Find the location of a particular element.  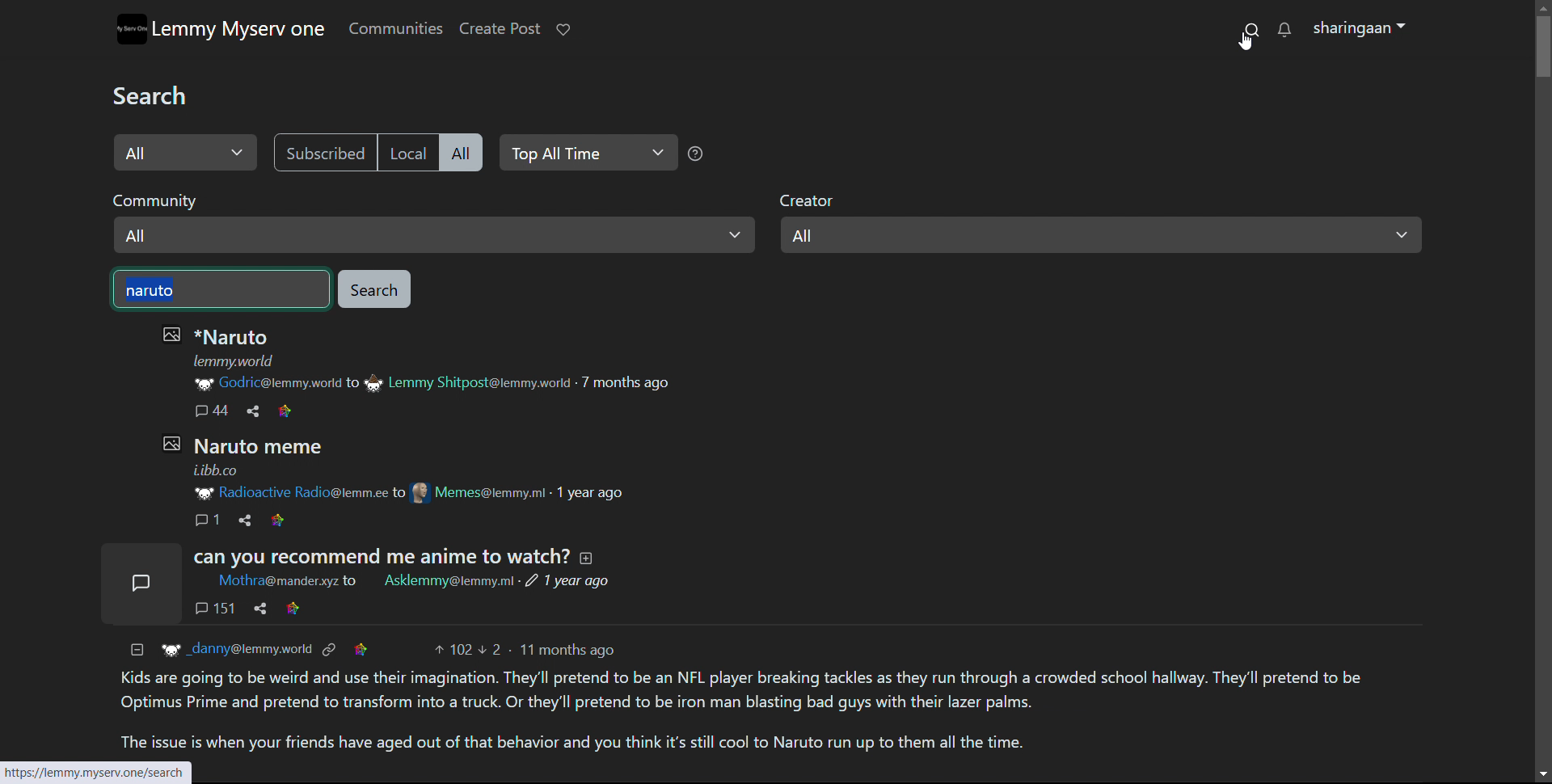

scrollbar is located at coordinates (1541, 113).